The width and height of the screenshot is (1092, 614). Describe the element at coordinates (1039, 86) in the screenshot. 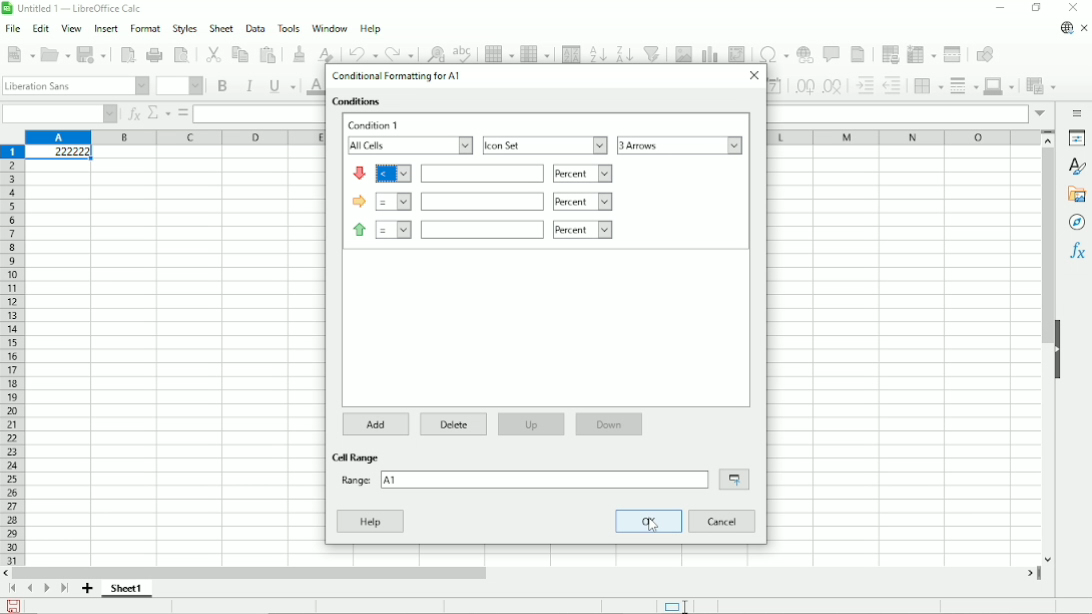

I see `Conditional` at that location.